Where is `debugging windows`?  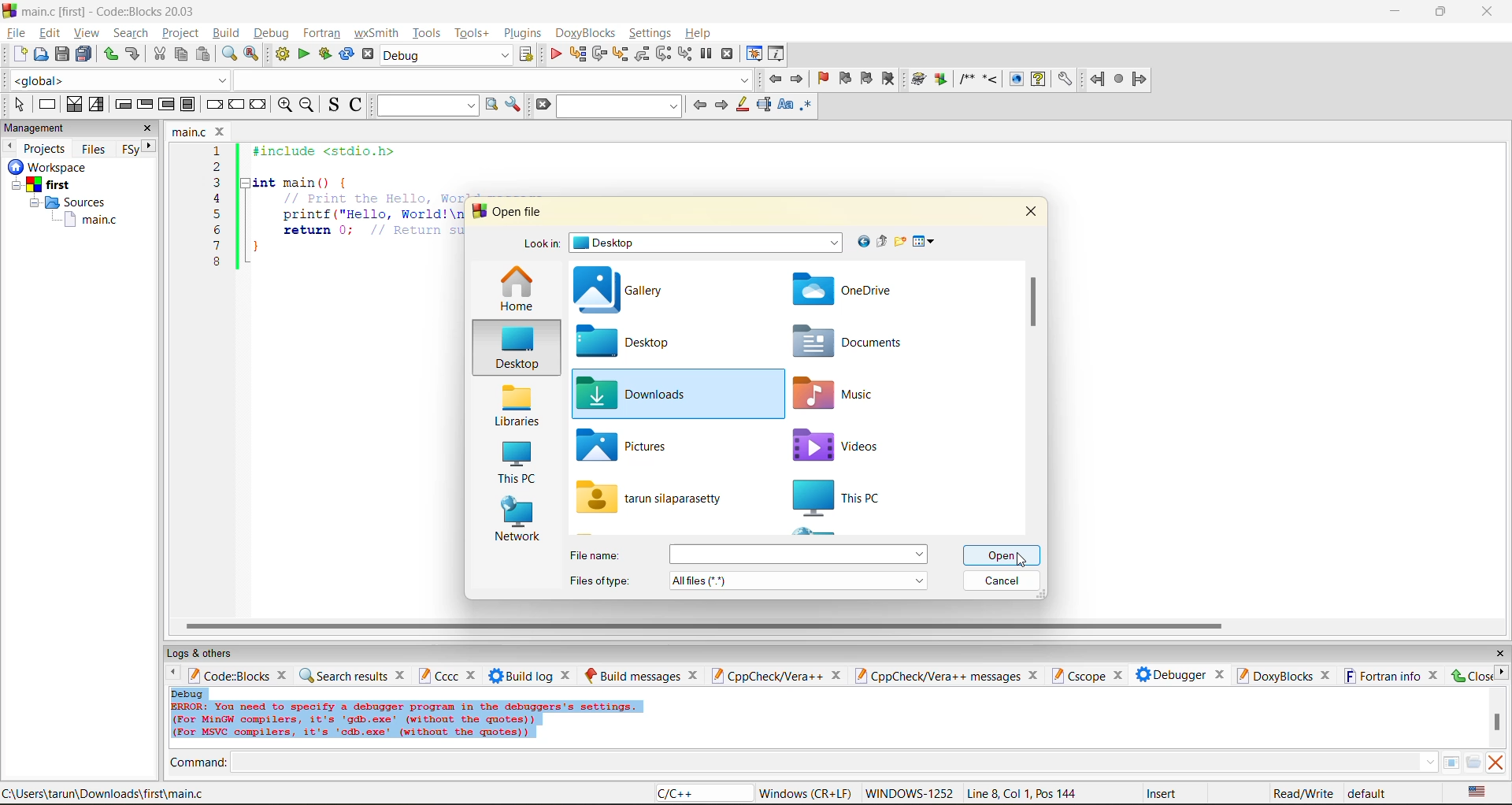 debugging windows is located at coordinates (754, 55).